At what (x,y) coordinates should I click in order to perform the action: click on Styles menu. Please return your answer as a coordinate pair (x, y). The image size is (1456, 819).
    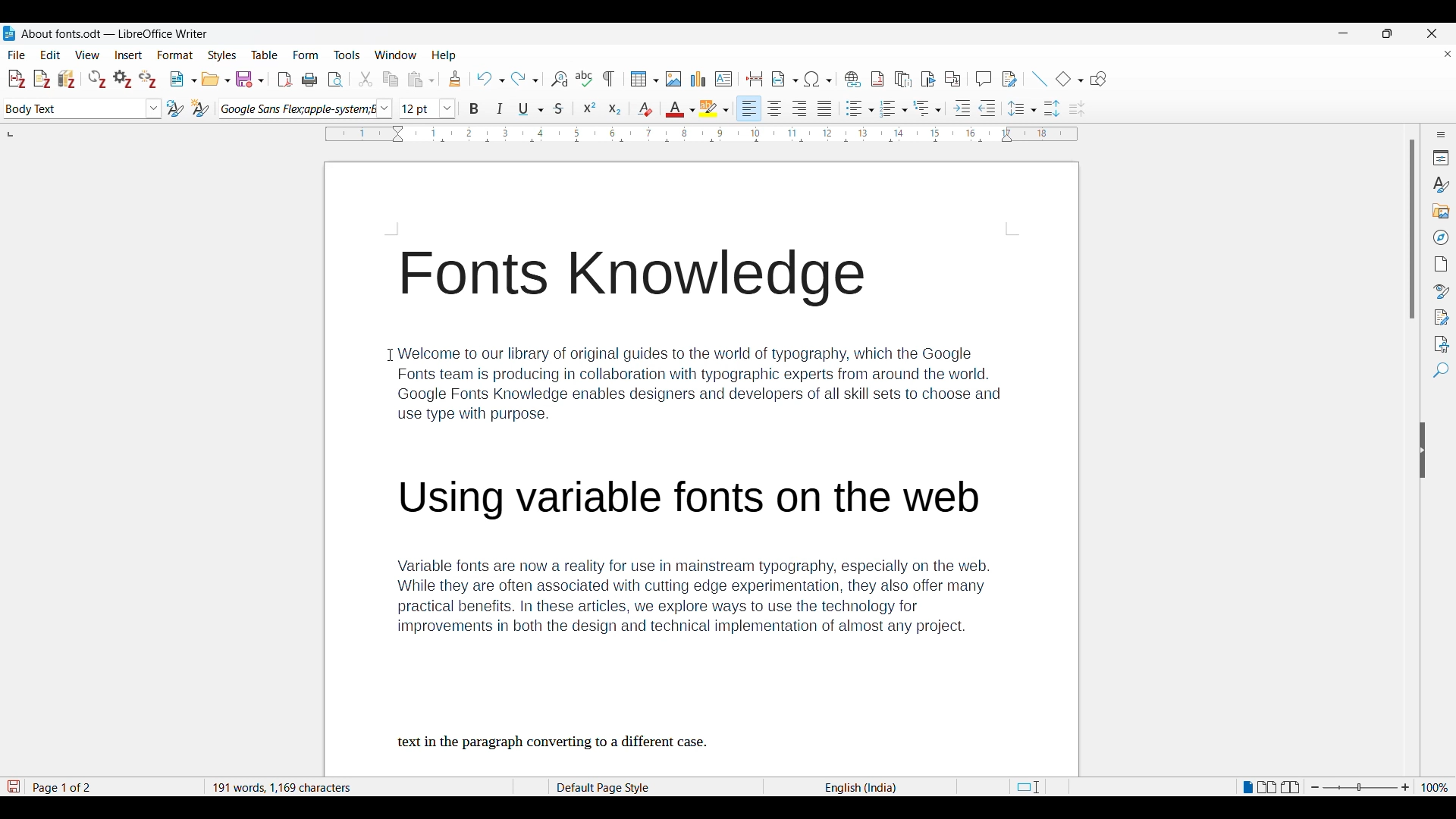
    Looking at the image, I should click on (222, 55).